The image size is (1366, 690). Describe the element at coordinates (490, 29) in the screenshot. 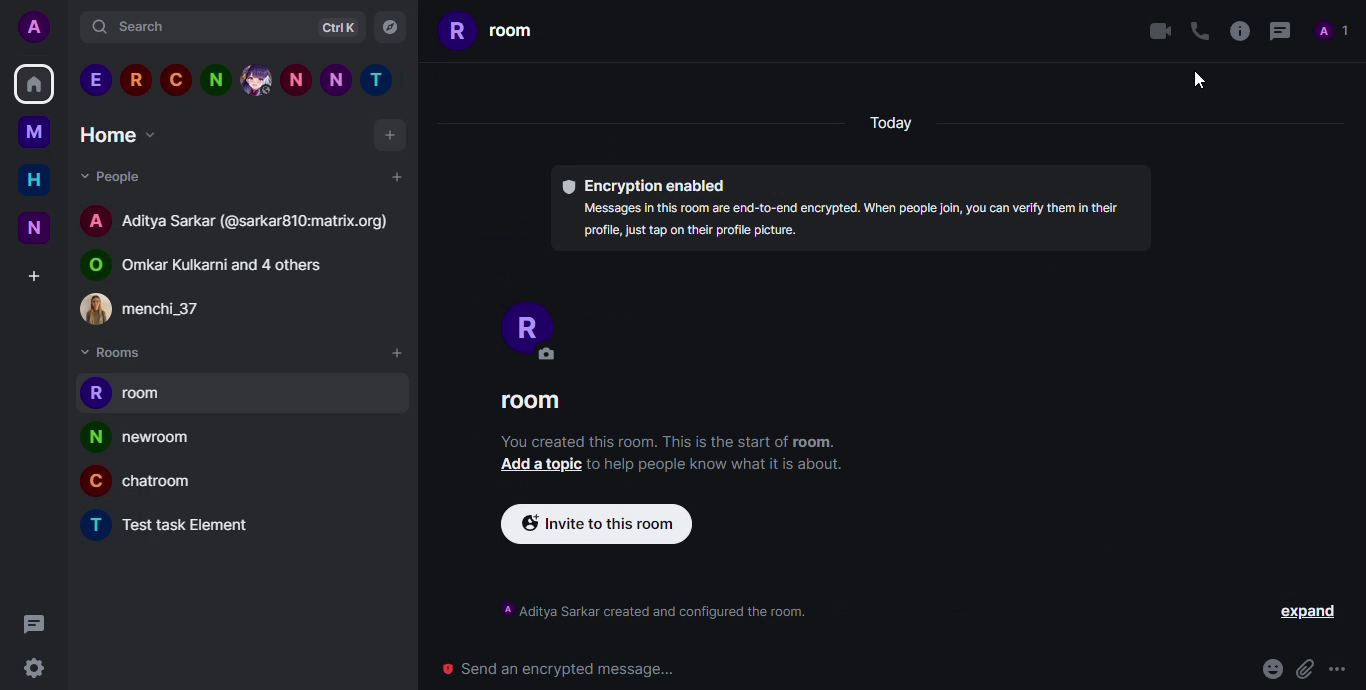

I see `room` at that location.